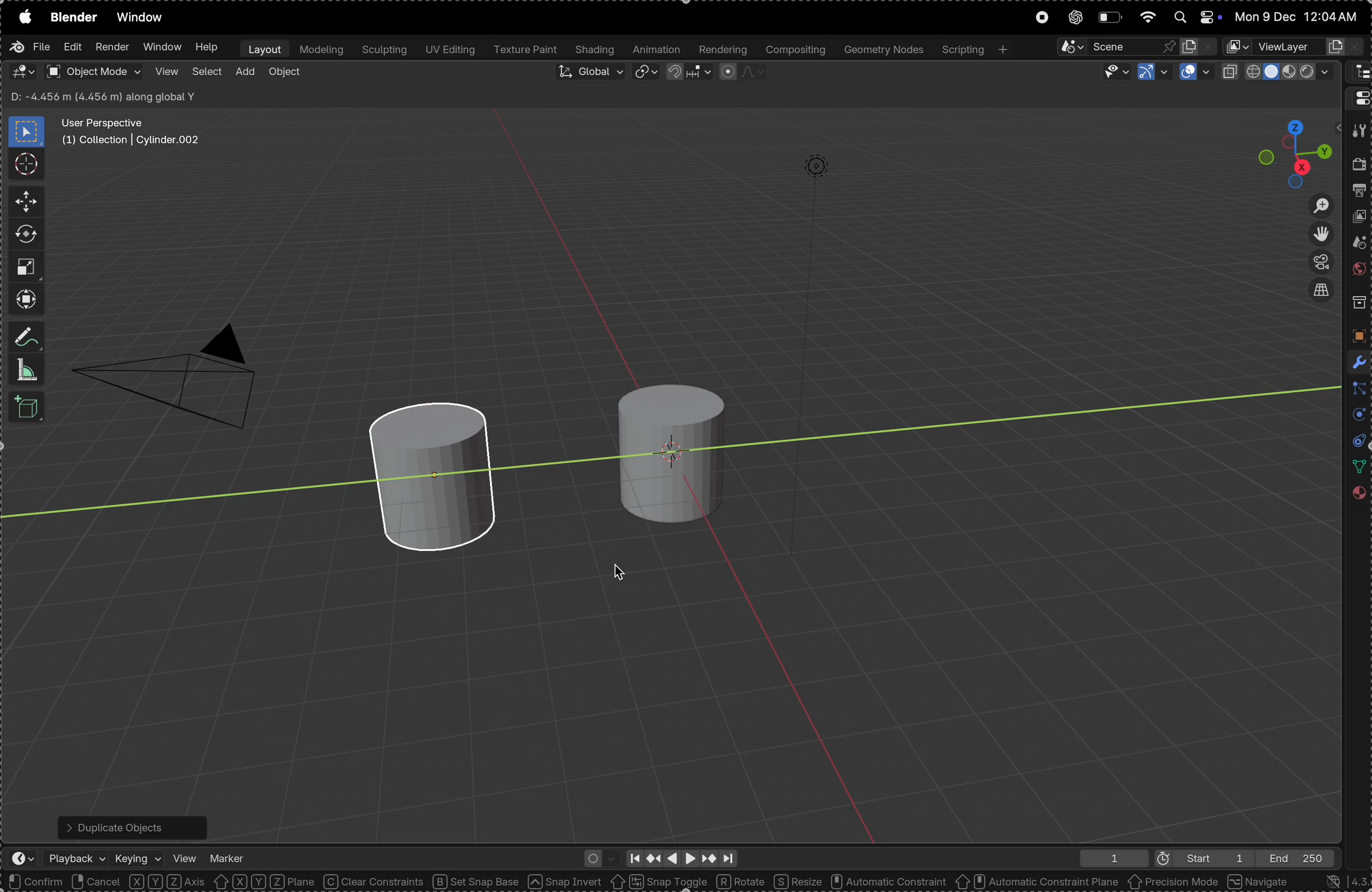 Image resolution: width=1372 pixels, height=892 pixels. I want to click on toggle view point, so click(1318, 235).